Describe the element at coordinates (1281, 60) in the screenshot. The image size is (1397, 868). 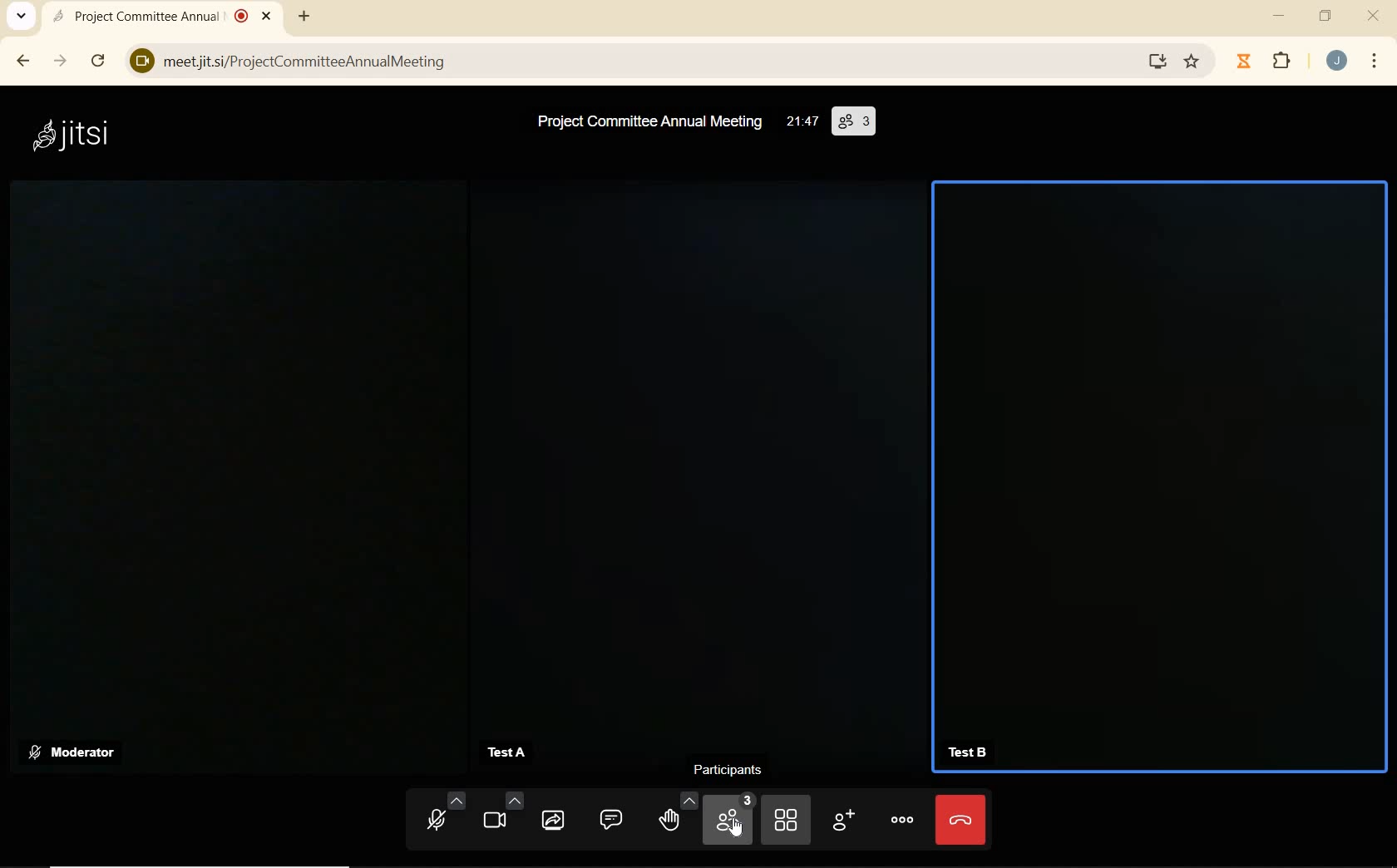
I see `EXTENSION` at that location.